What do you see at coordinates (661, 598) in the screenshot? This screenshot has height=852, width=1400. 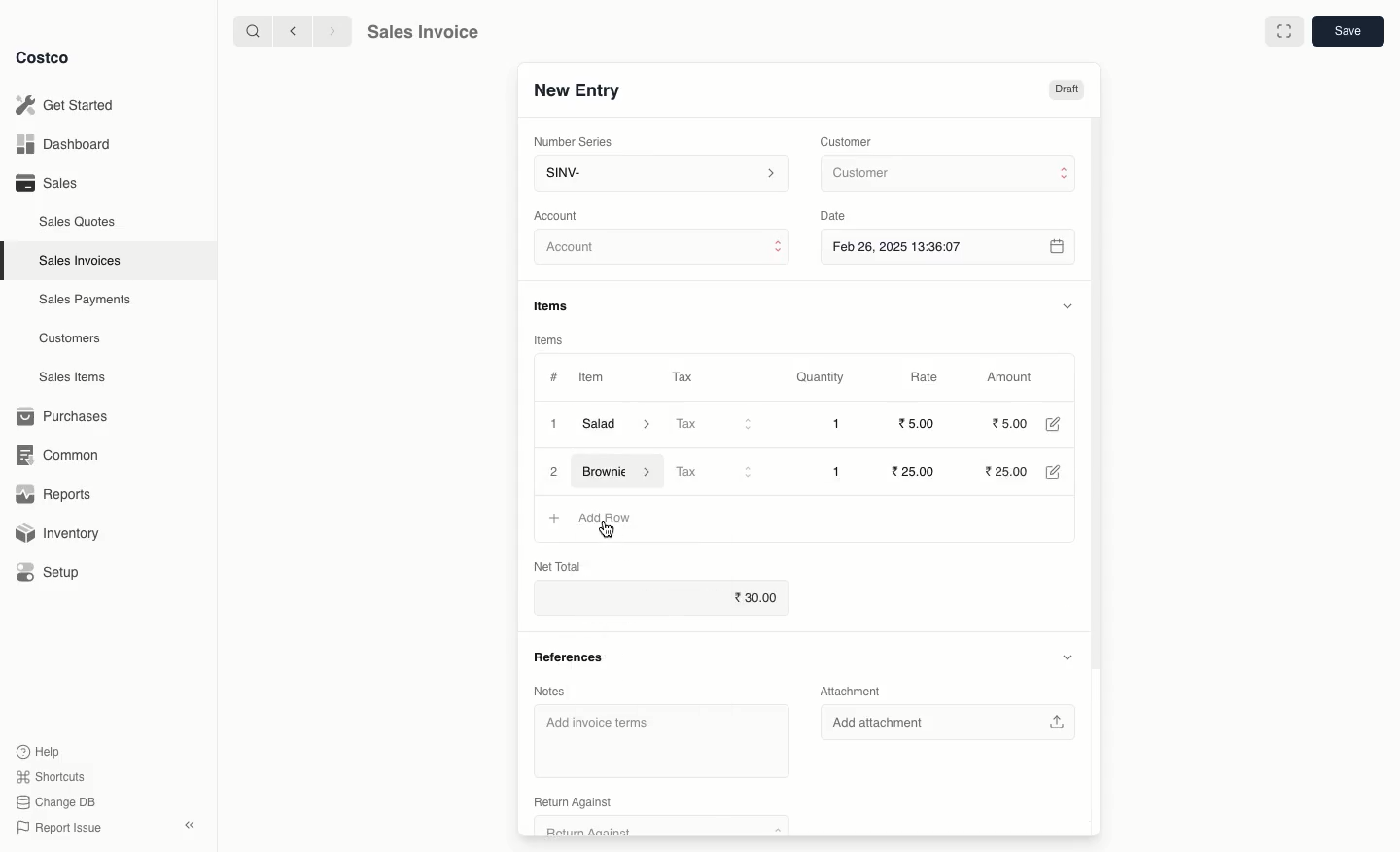 I see `30.00` at bounding box center [661, 598].